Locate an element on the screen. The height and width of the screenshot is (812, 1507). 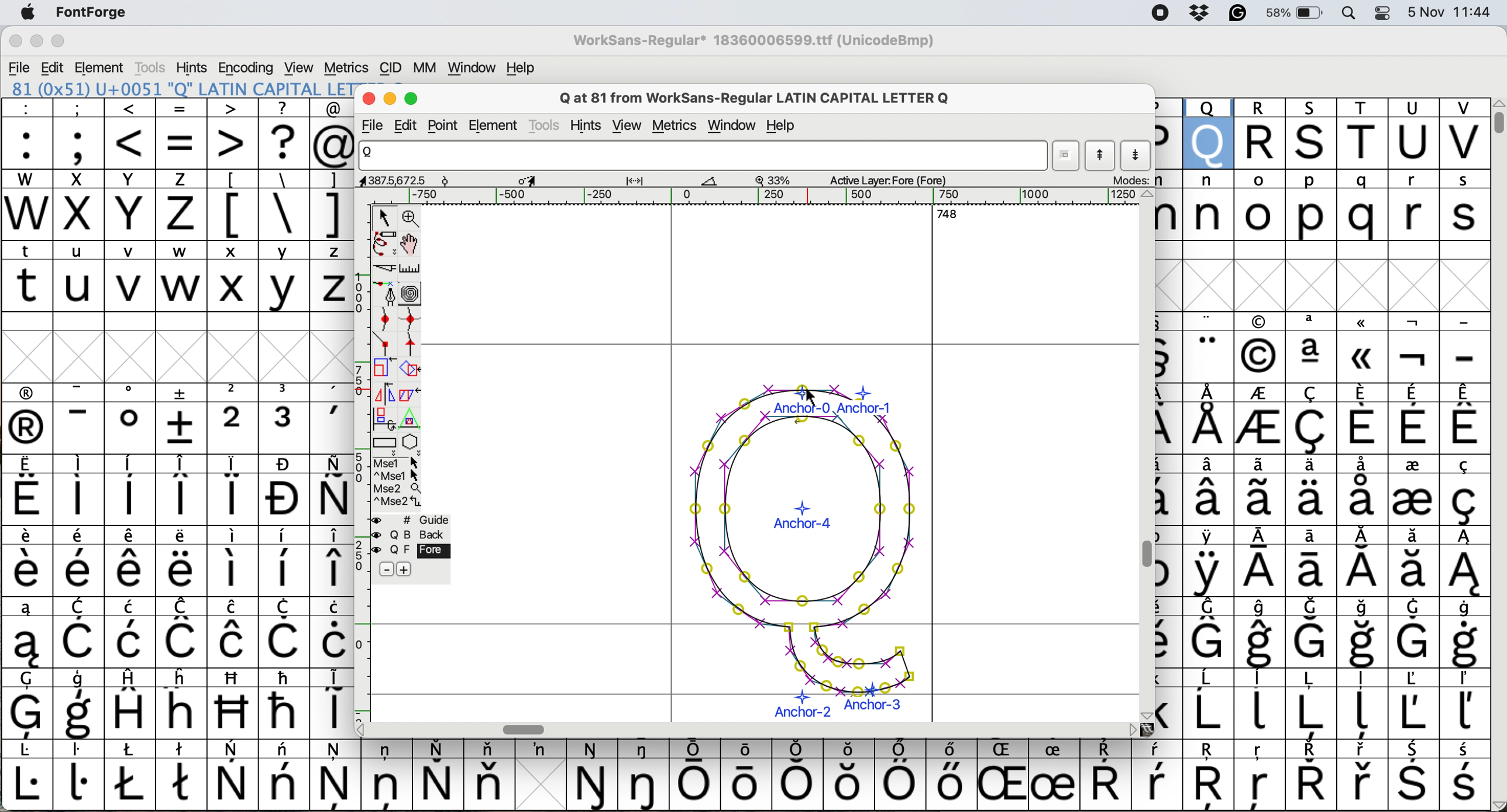
special characters is located at coordinates (177, 147).